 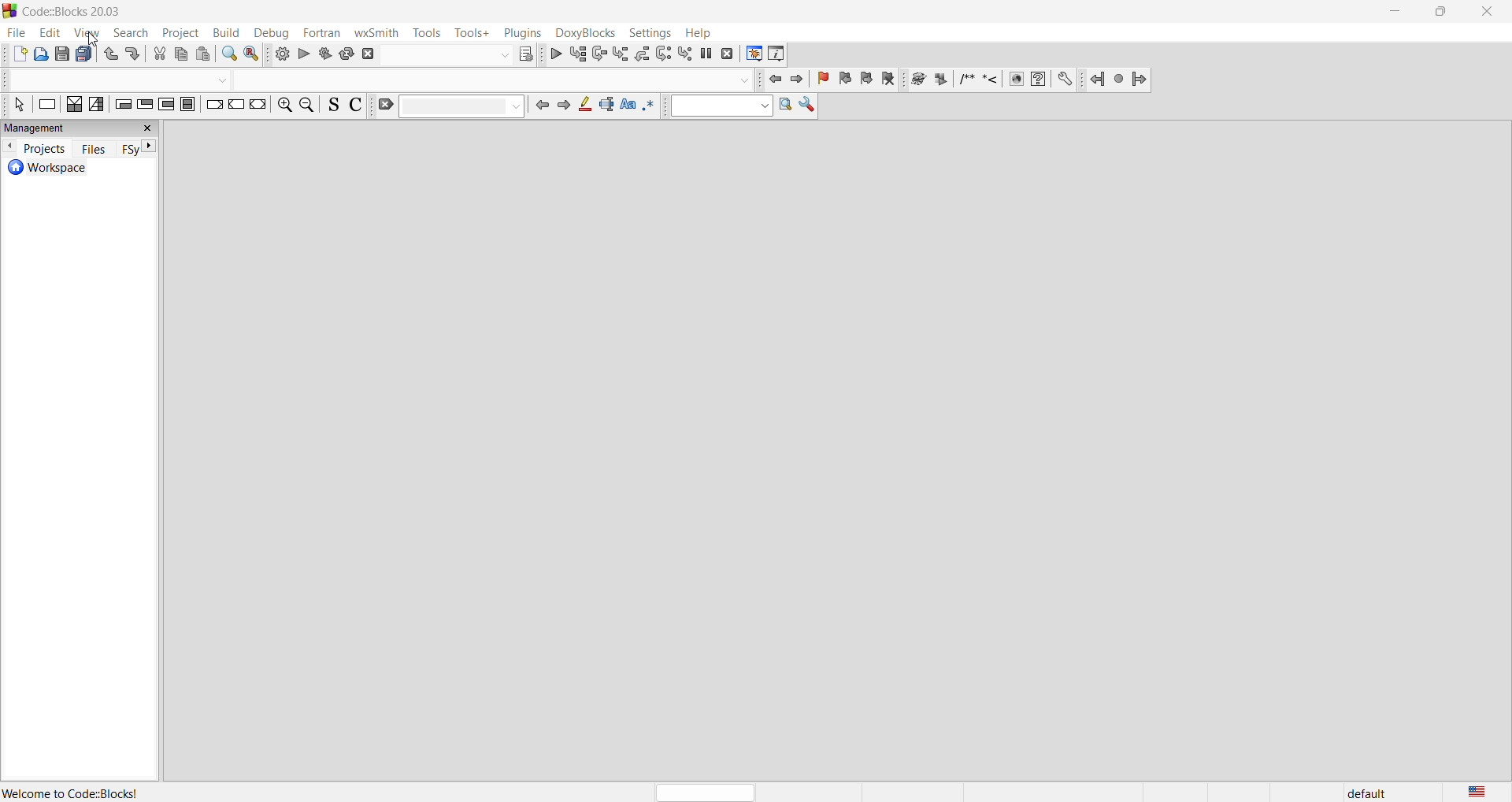 What do you see at coordinates (1118, 79) in the screenshot?
I see `Last jump` at bounding box center [1118, 79].